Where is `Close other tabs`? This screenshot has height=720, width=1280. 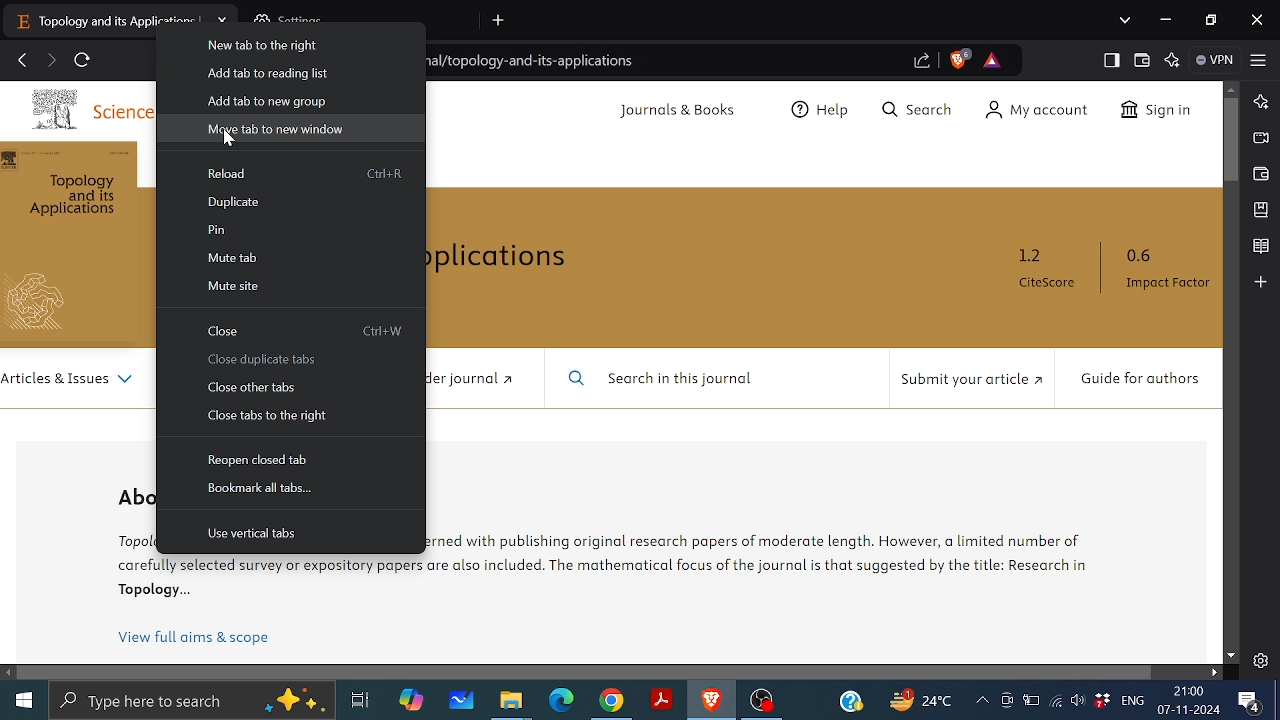 Close other tabs is located at coordinates (255, 387).